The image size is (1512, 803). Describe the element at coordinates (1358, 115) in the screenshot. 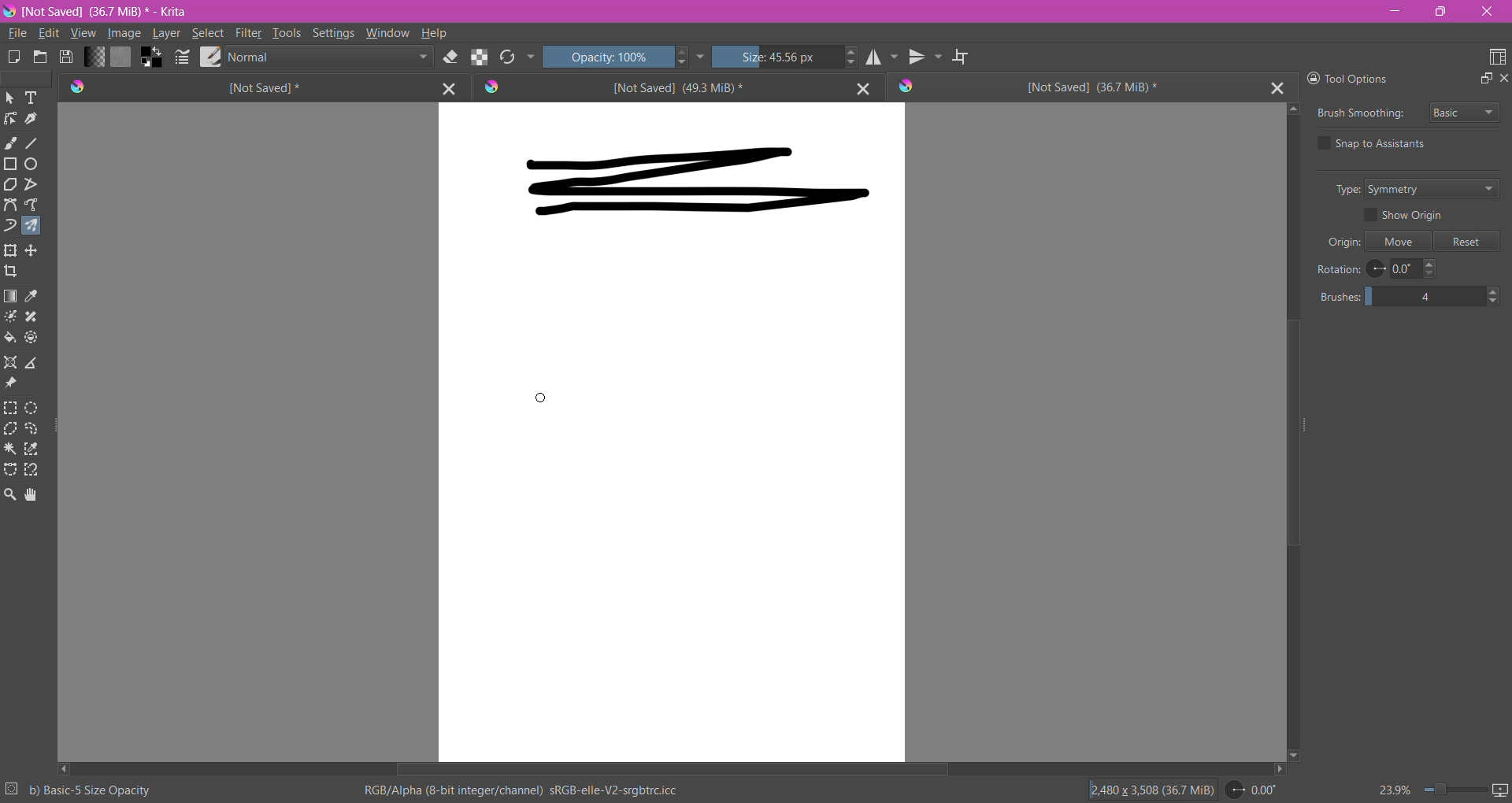

I see `Brush Smoothing` at that location.